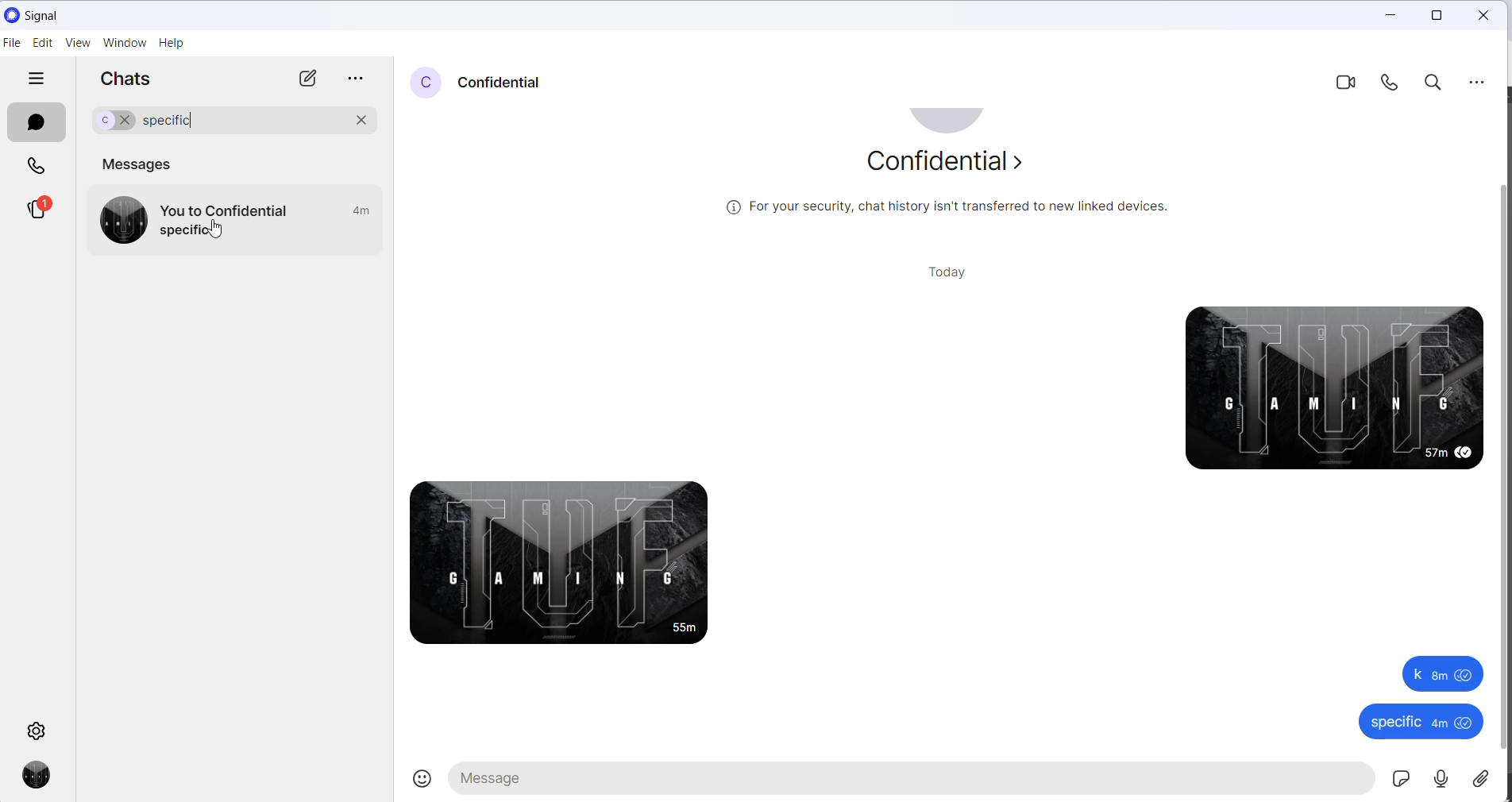 This screenshot has width=1512, height=802. I want to click on chats heading, so click(133, 83).